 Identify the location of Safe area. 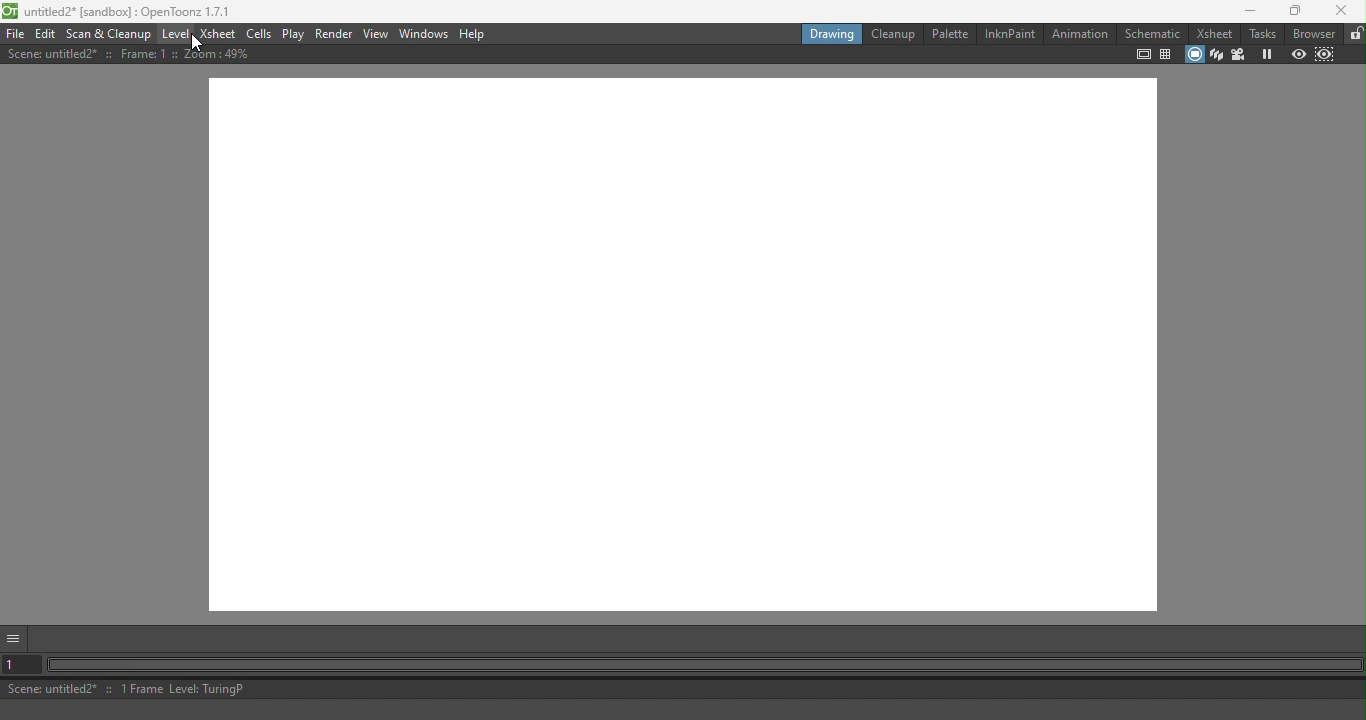
(1142, 54).